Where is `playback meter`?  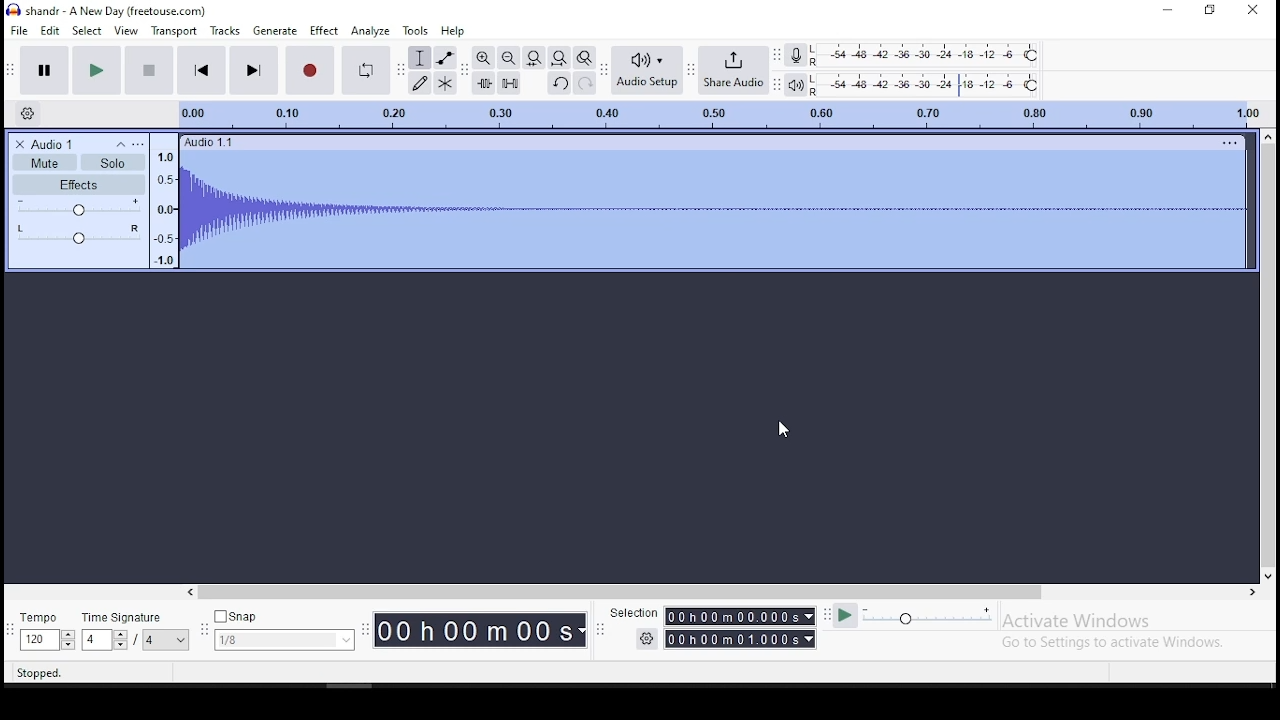
playback meter is located at coordinates (796, 83).